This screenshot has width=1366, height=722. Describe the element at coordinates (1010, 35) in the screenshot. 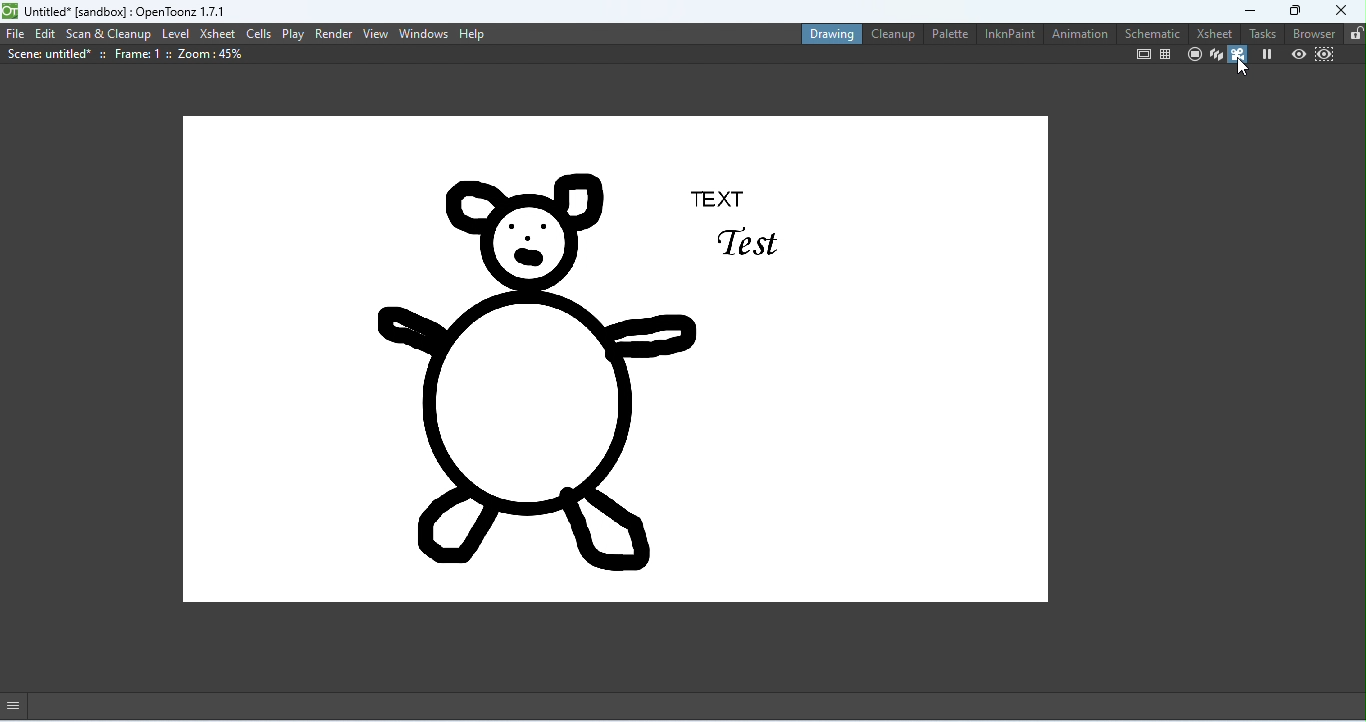

I see `InknPaint` at that location.